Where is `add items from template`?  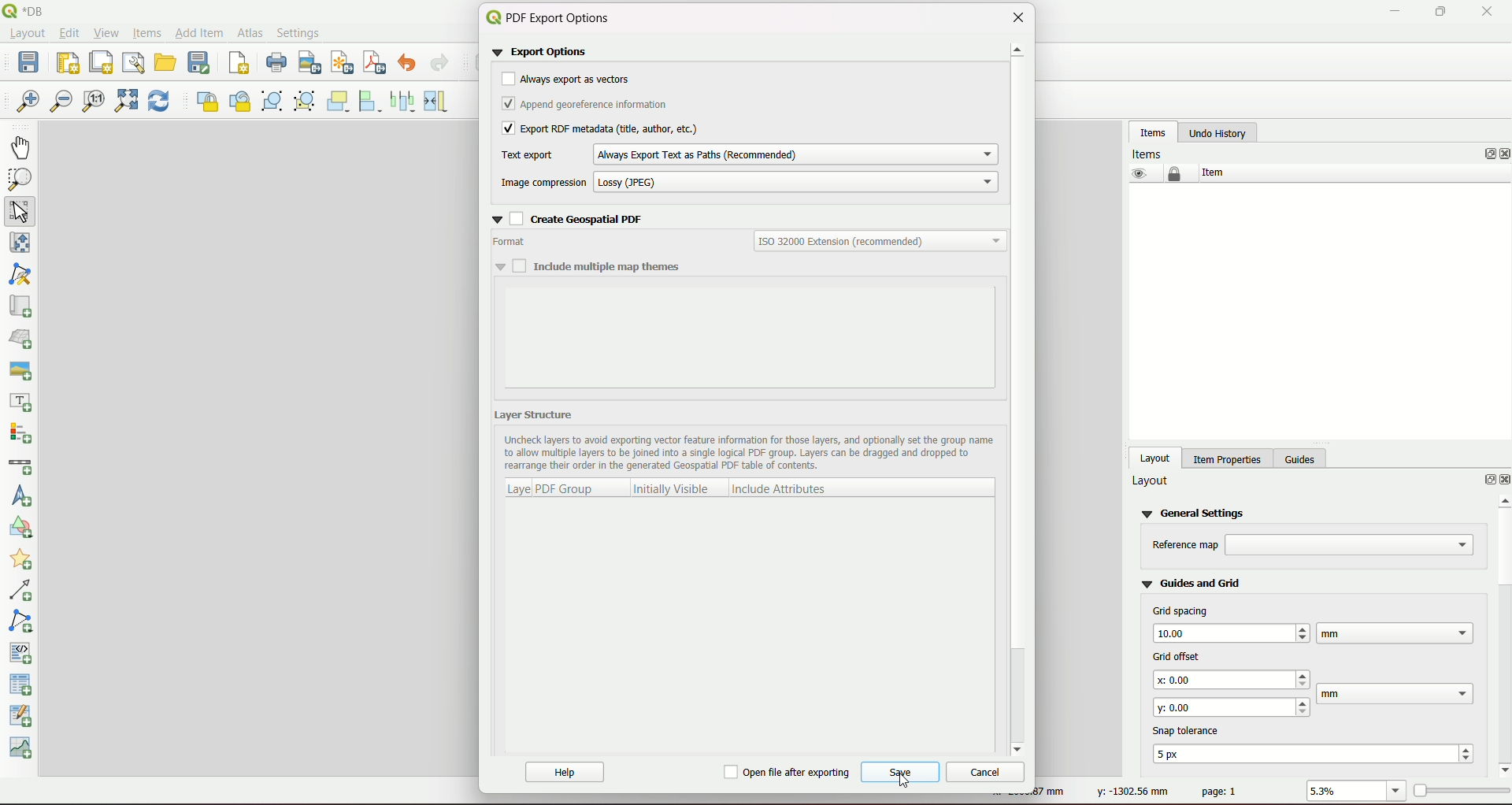
add items from template is located at coordinates (166, 62).